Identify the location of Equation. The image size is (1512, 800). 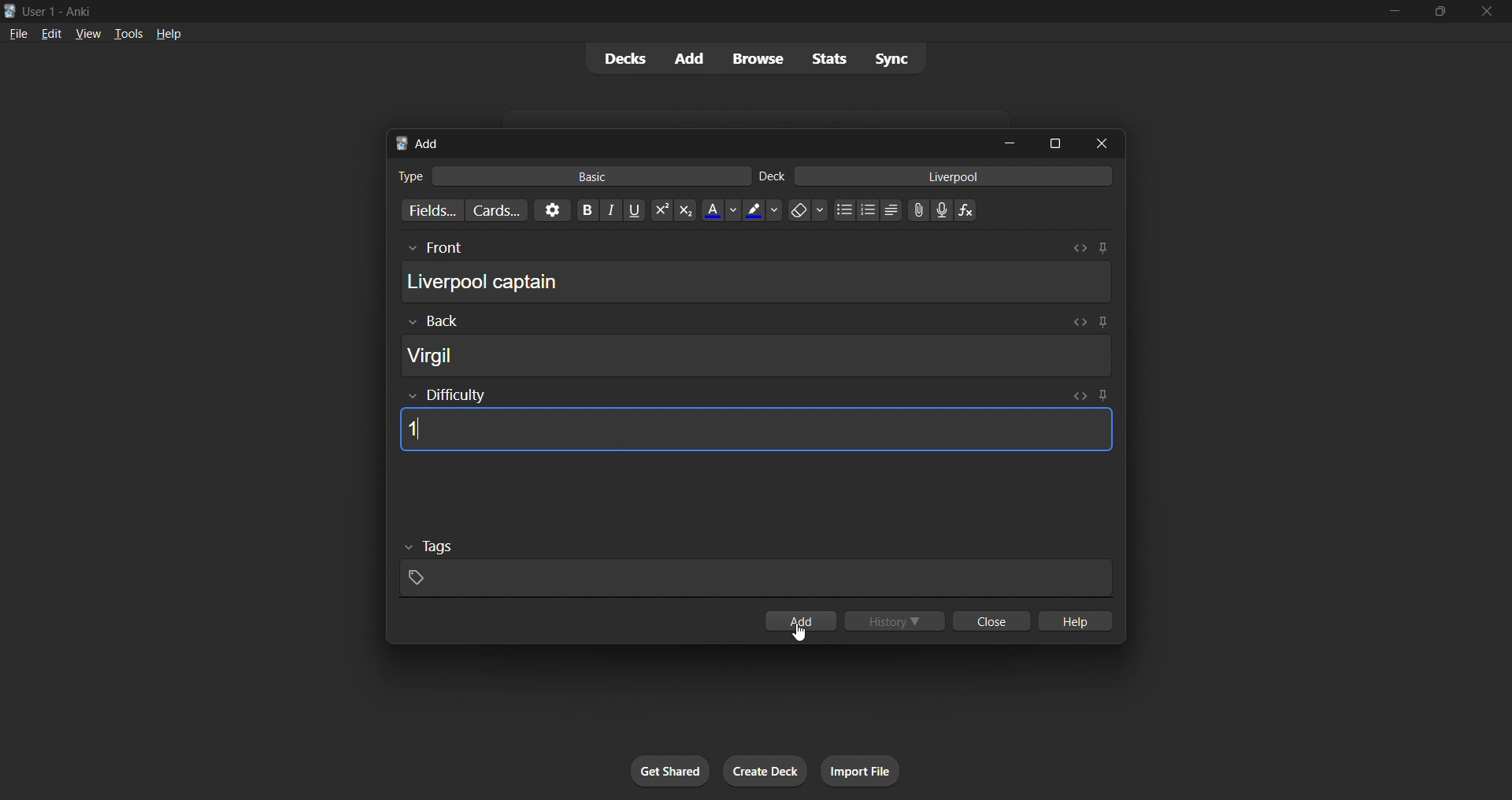
(965, 210).